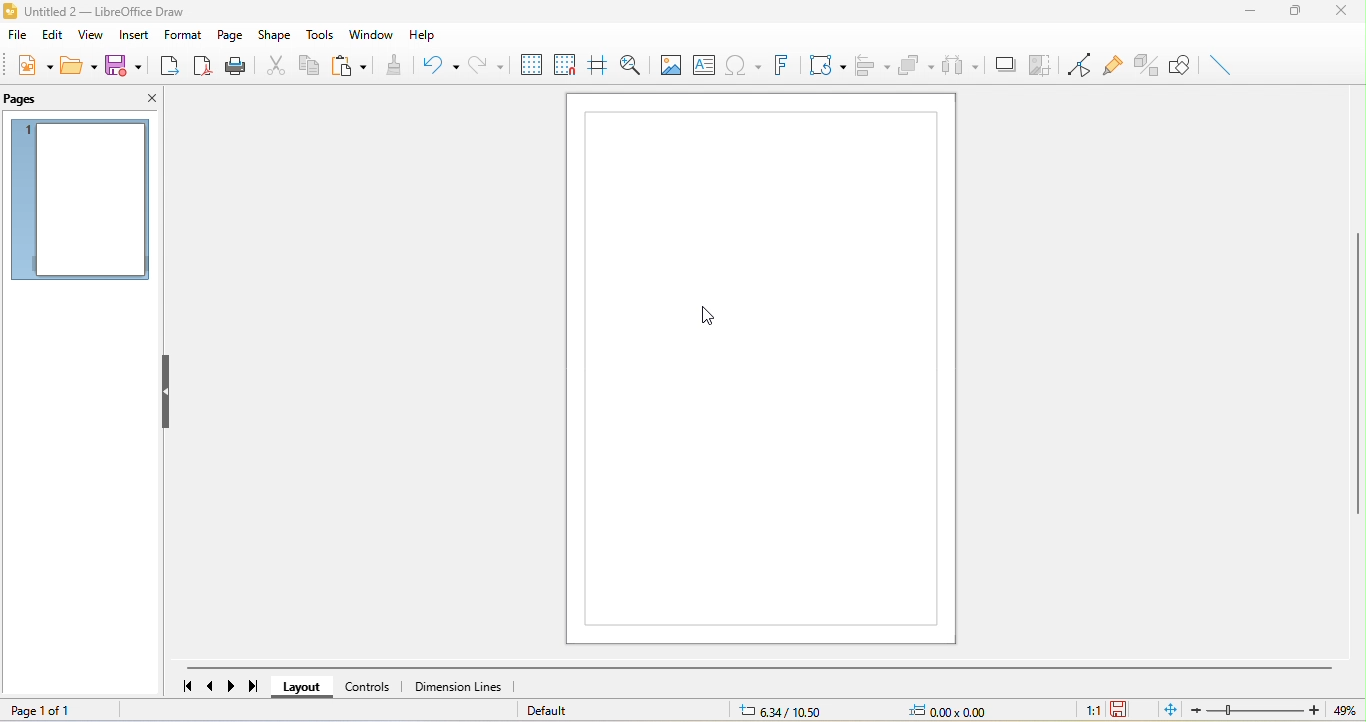 This screenshot has width=1366, height=722. I want to click on zoom, so click(1258, 710).